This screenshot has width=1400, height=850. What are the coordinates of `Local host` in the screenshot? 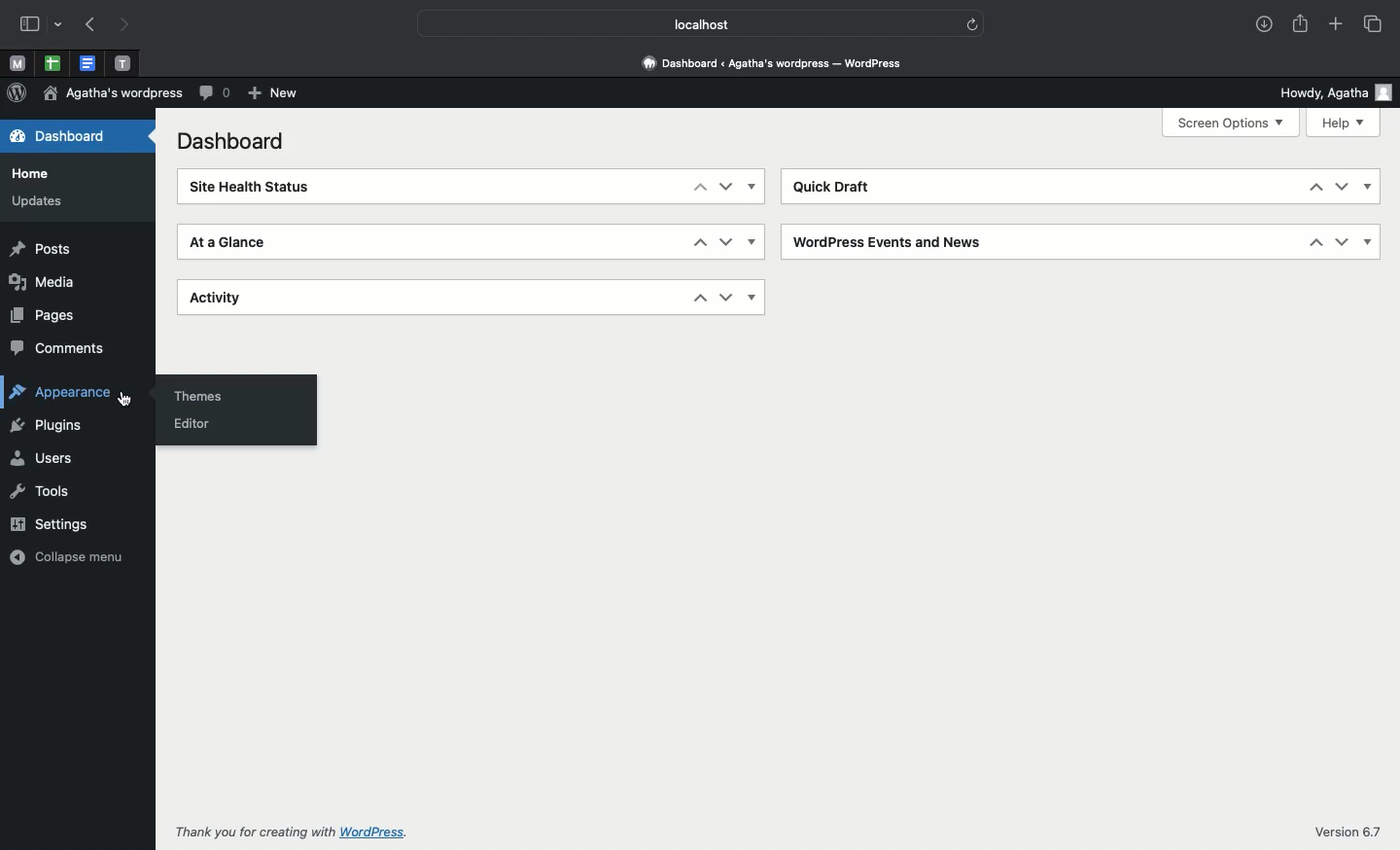 It's located at (686, 23).